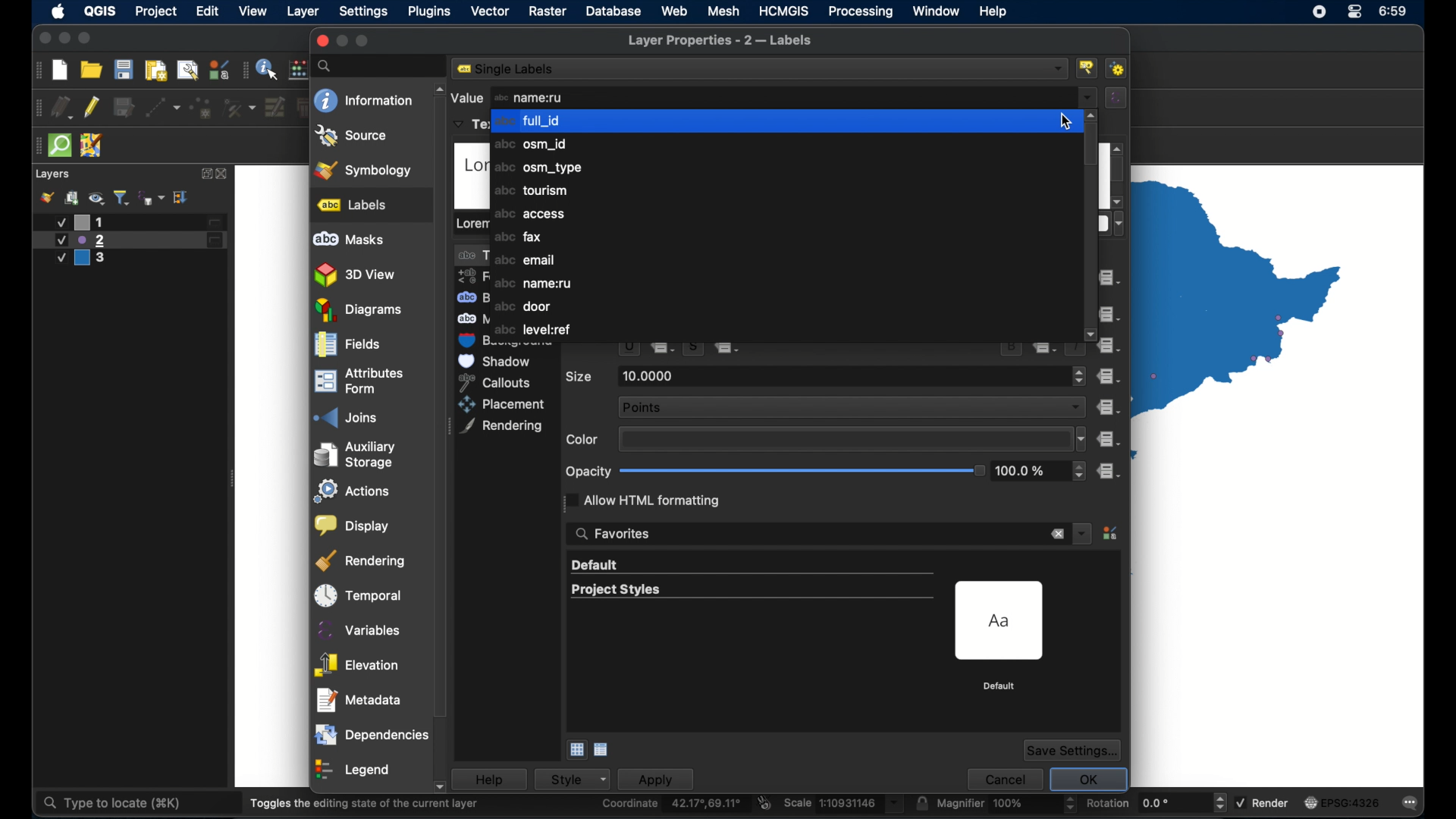  What do you see at coordinates (535, 330) in the screenshot?
I see `level: ref` at bounding box center [535, 330].